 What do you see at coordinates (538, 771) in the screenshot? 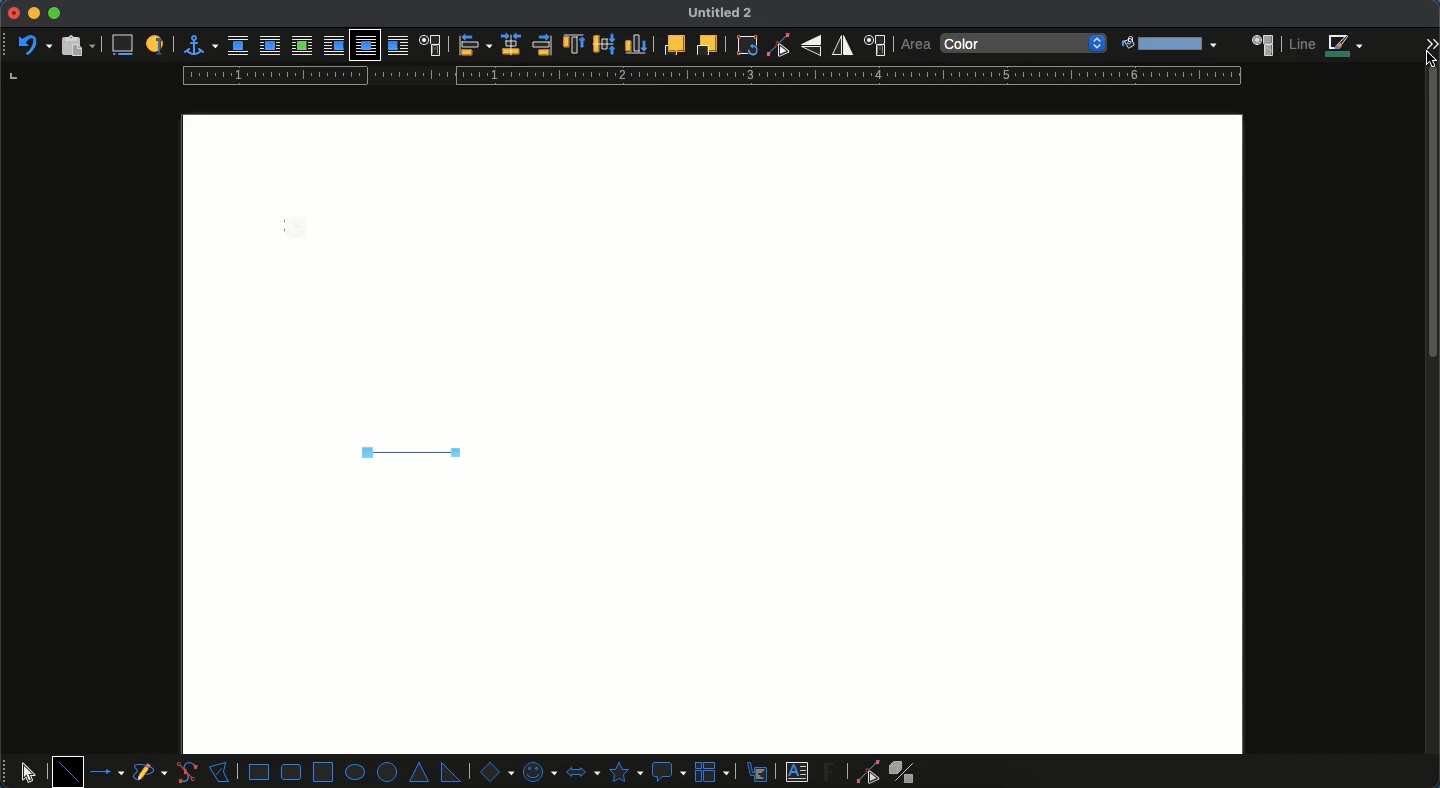
I see `symbol shapes` at bounding box center [538, 771].